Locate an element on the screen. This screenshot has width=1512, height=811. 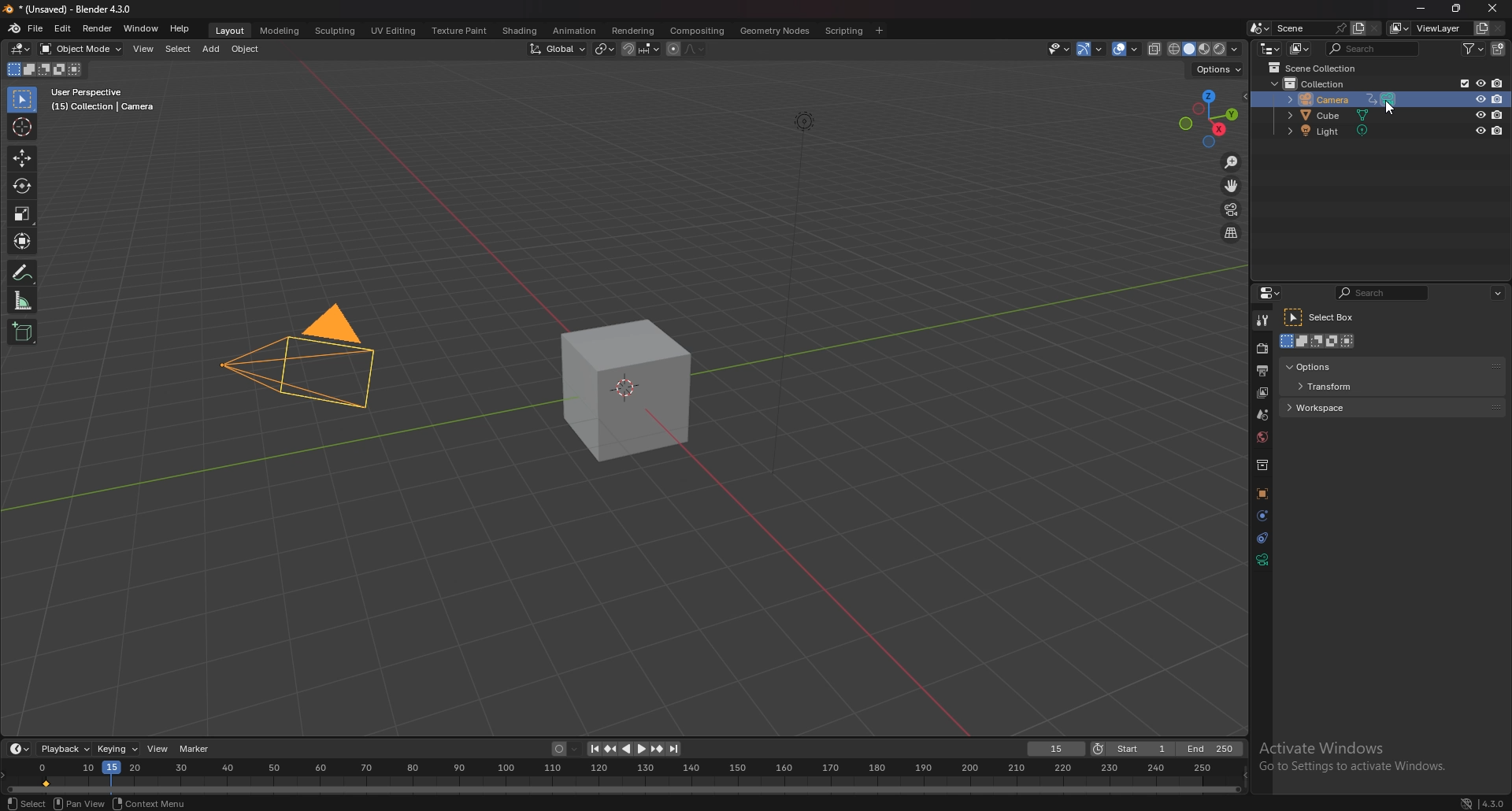
rendering is located at coordinates (633, 31).